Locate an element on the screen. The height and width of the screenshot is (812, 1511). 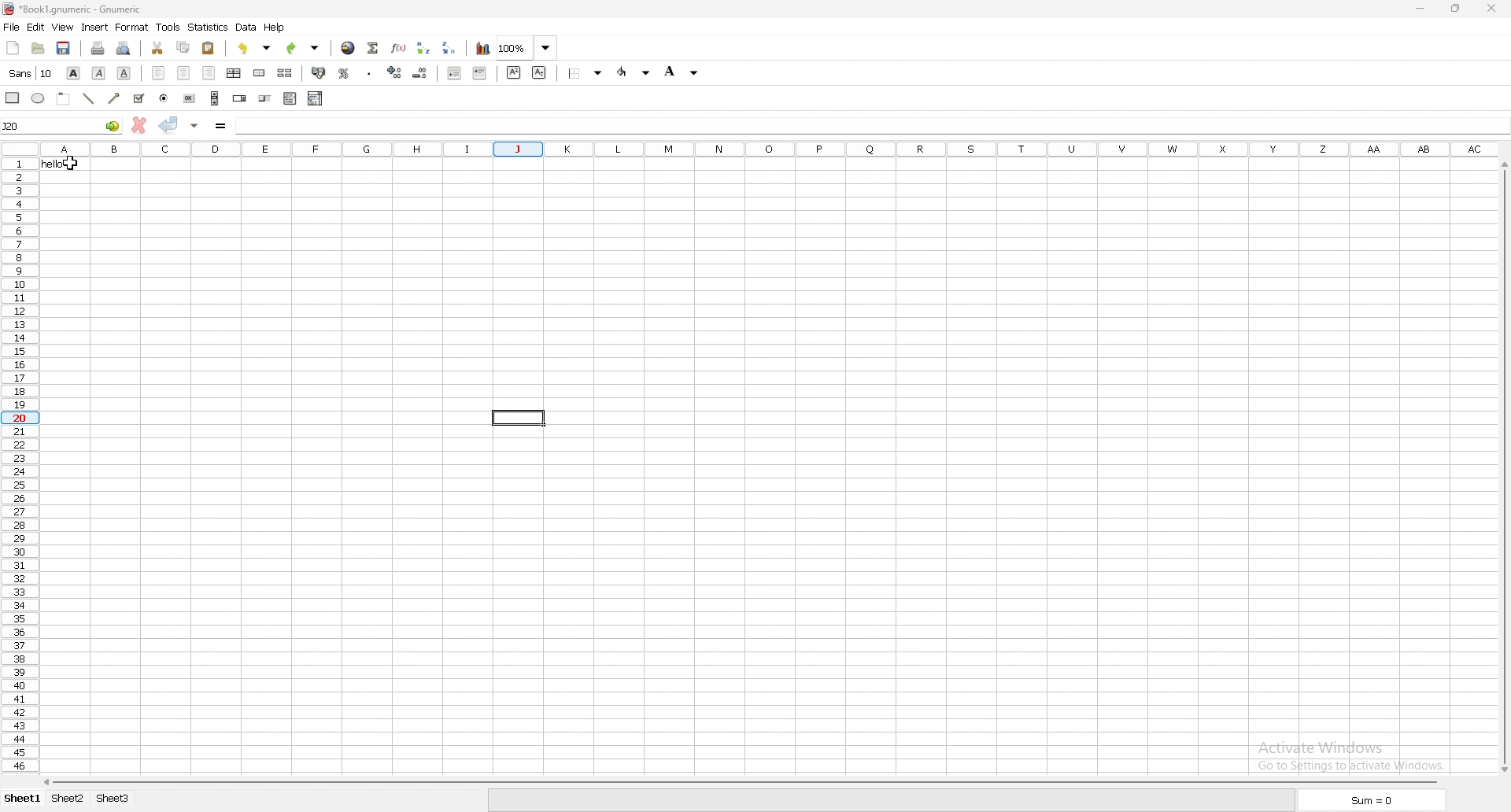
hyperlink is located at coordinates (348, 48).